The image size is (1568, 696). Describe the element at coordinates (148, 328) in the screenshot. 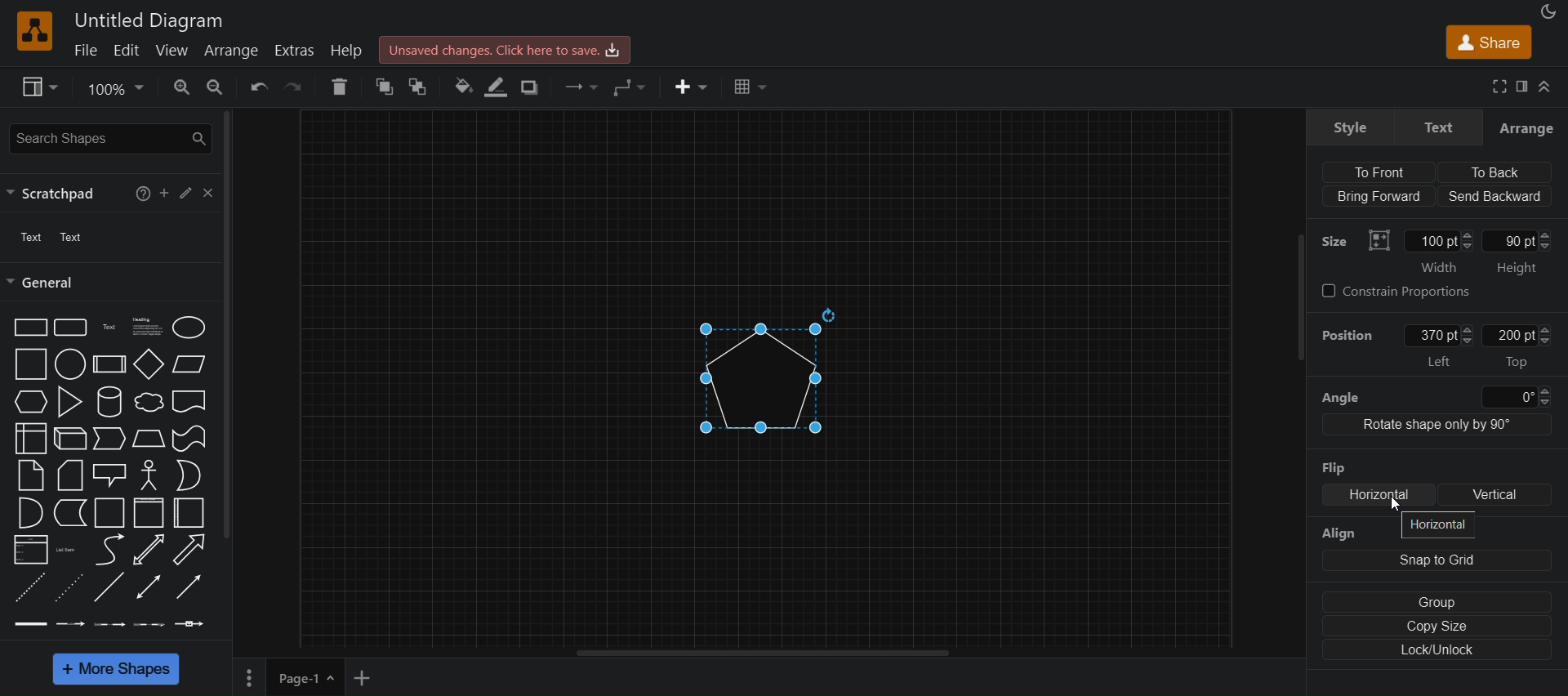

I see `Textbox` at that location.